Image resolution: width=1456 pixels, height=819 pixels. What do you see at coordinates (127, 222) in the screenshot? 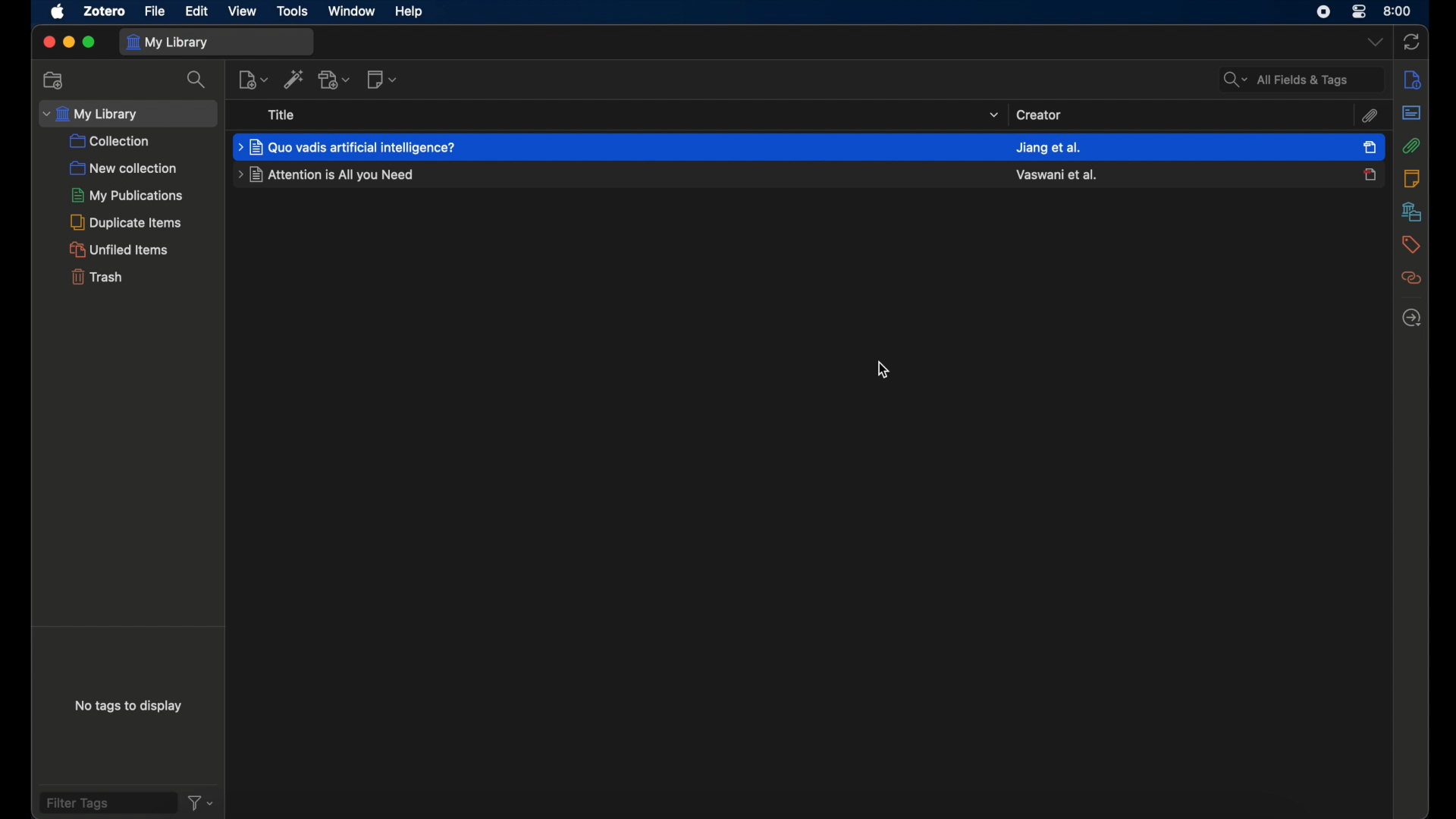
I see `duplicate items` at bounding box center [127, 222].